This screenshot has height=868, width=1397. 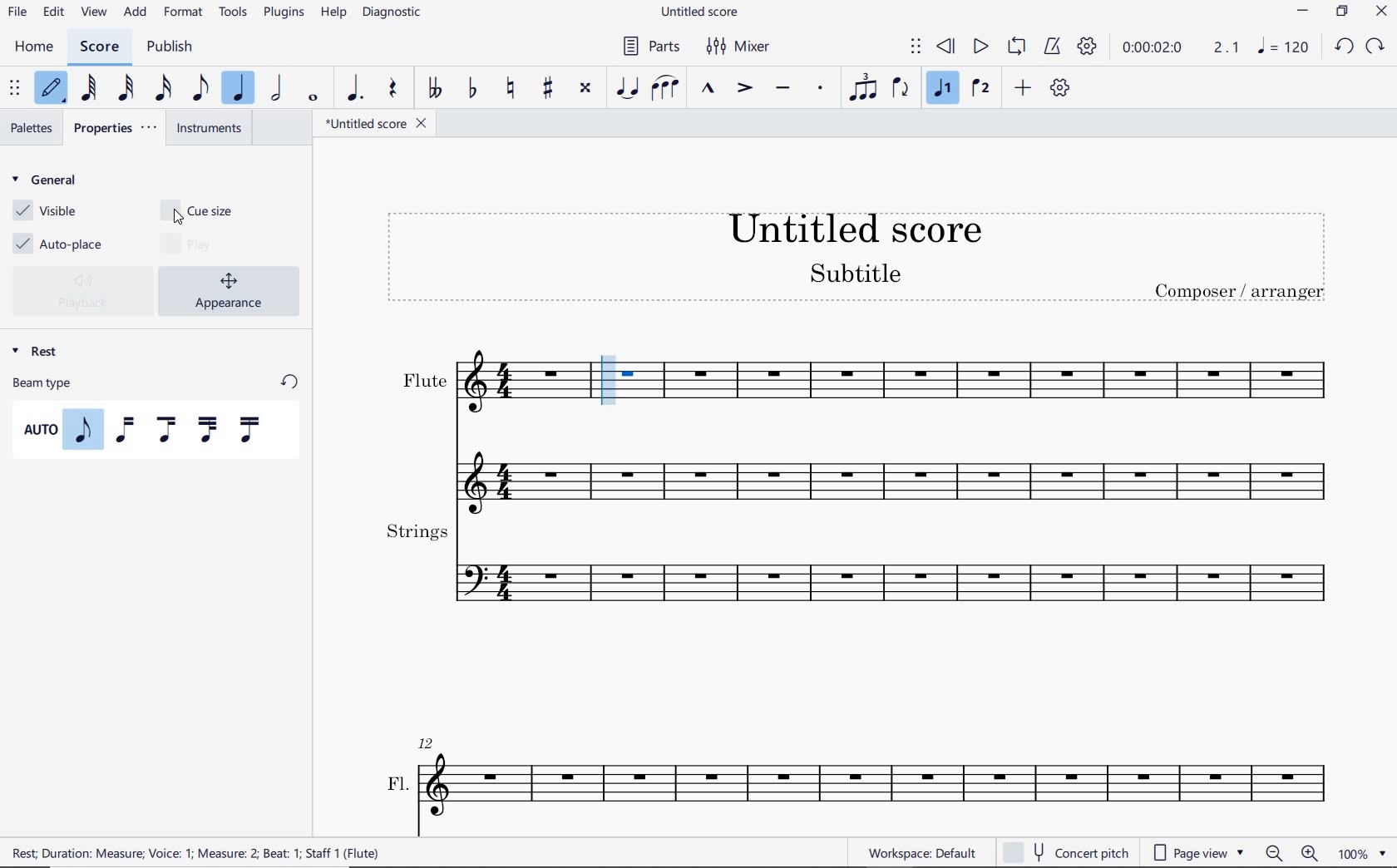 What do you see at coordinates (857, 258) in the screenshot?
I see `title` at bounding box center [857, 258].